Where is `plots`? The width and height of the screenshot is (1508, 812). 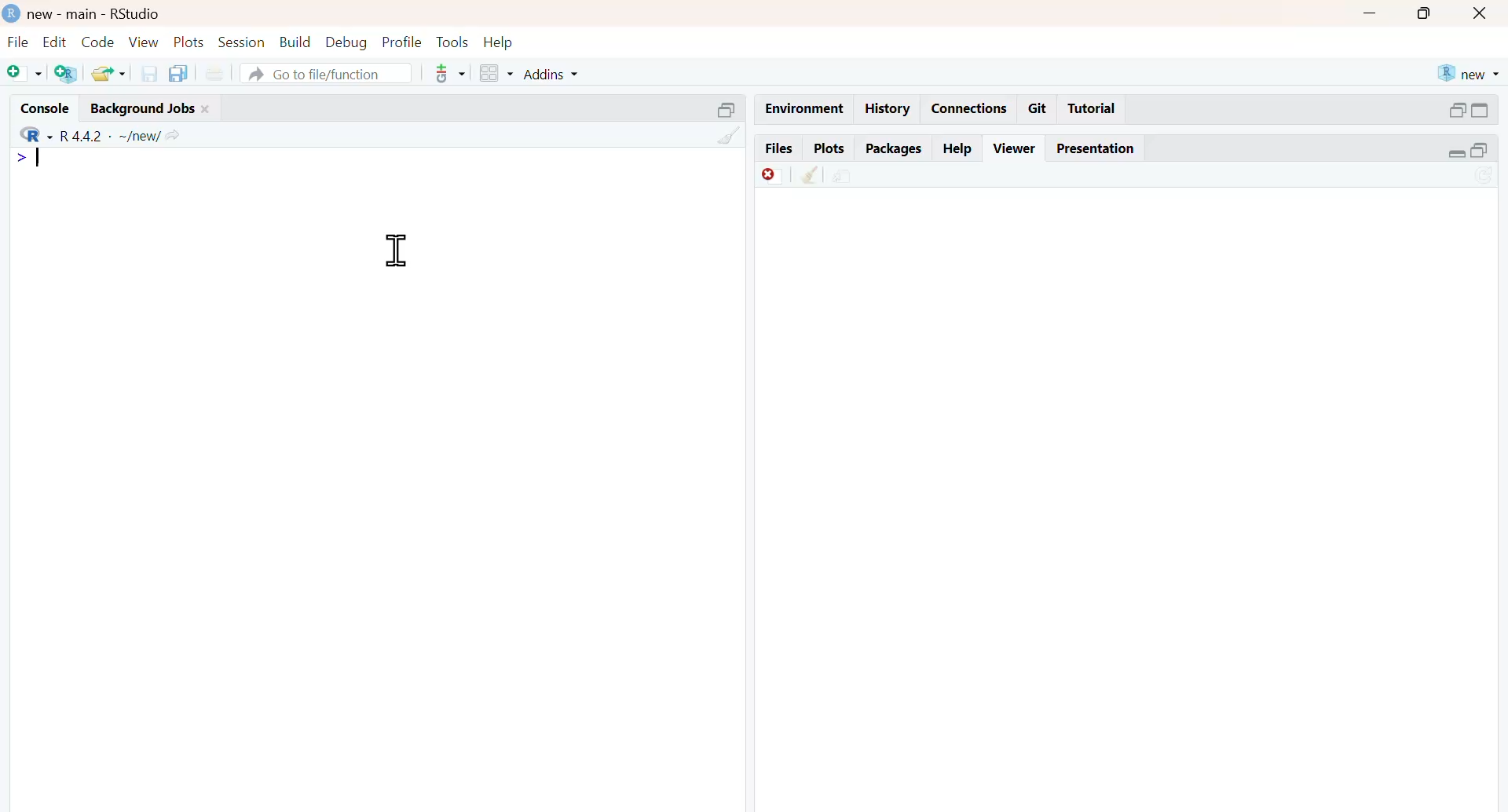 plots is located at coordinates (829, 149).